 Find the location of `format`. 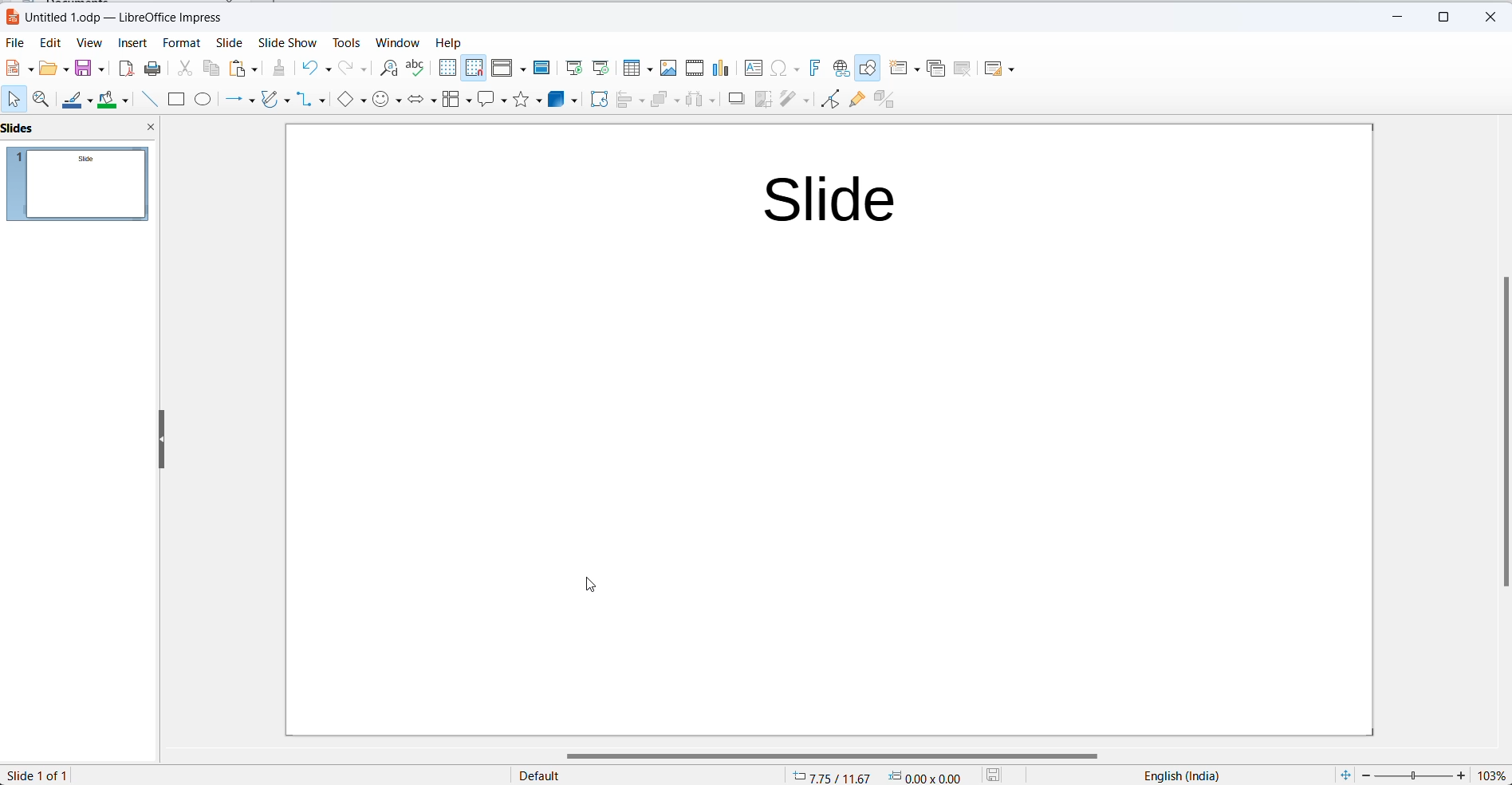

format is located at coordinates (180, 44).